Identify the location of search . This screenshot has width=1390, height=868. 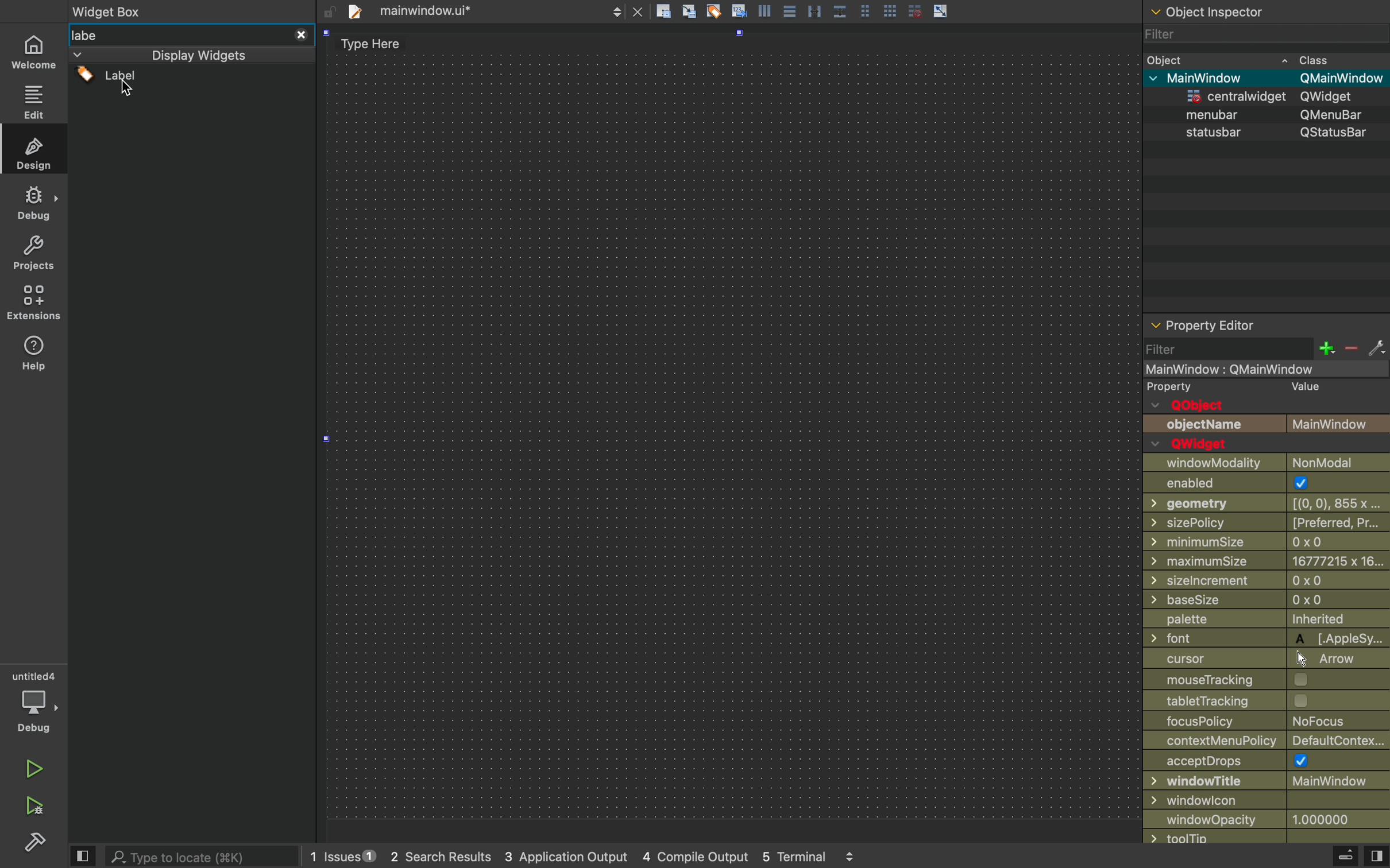
(206, 855).